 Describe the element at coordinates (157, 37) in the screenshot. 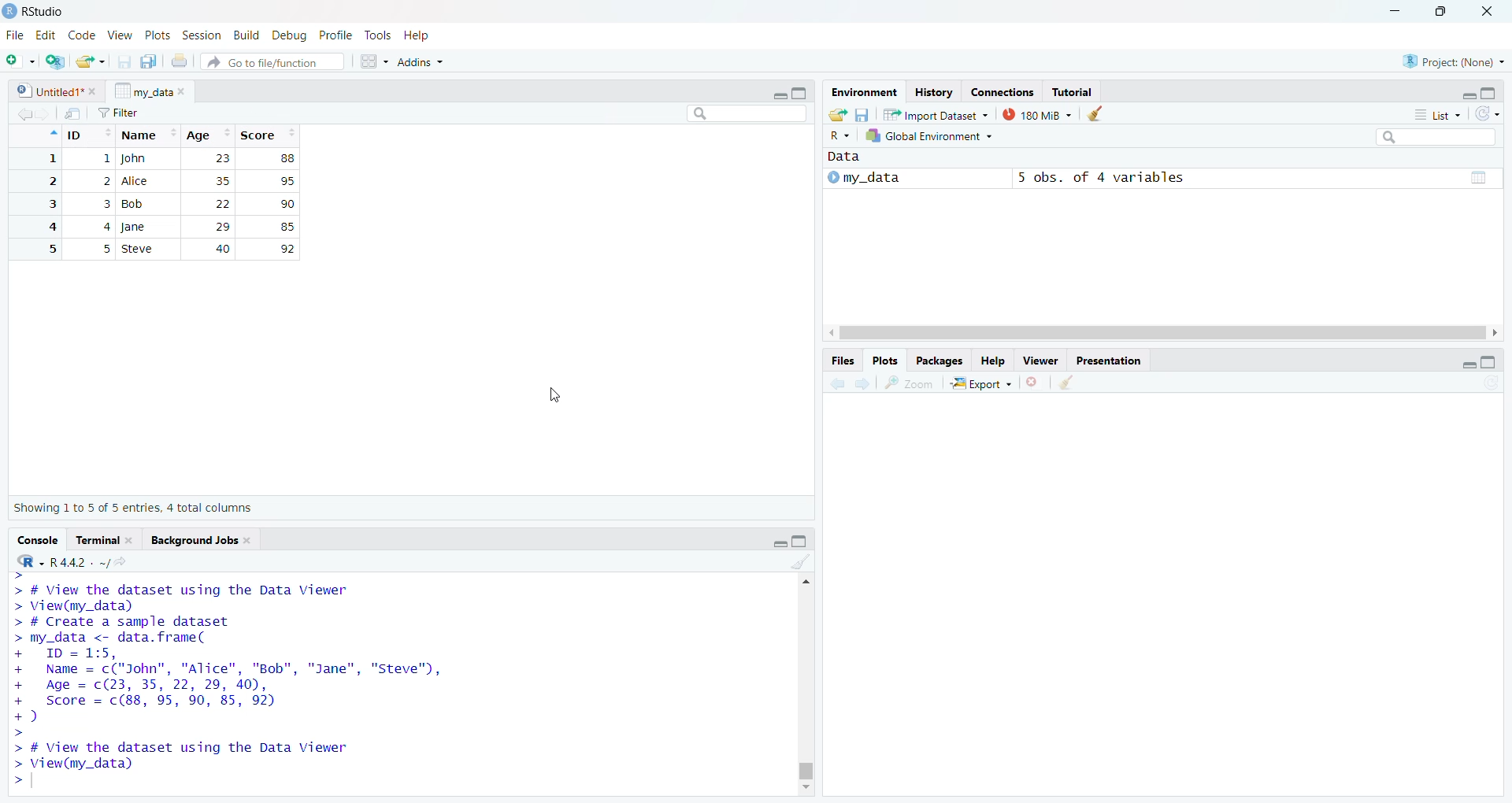

I see `Plots` at that location.